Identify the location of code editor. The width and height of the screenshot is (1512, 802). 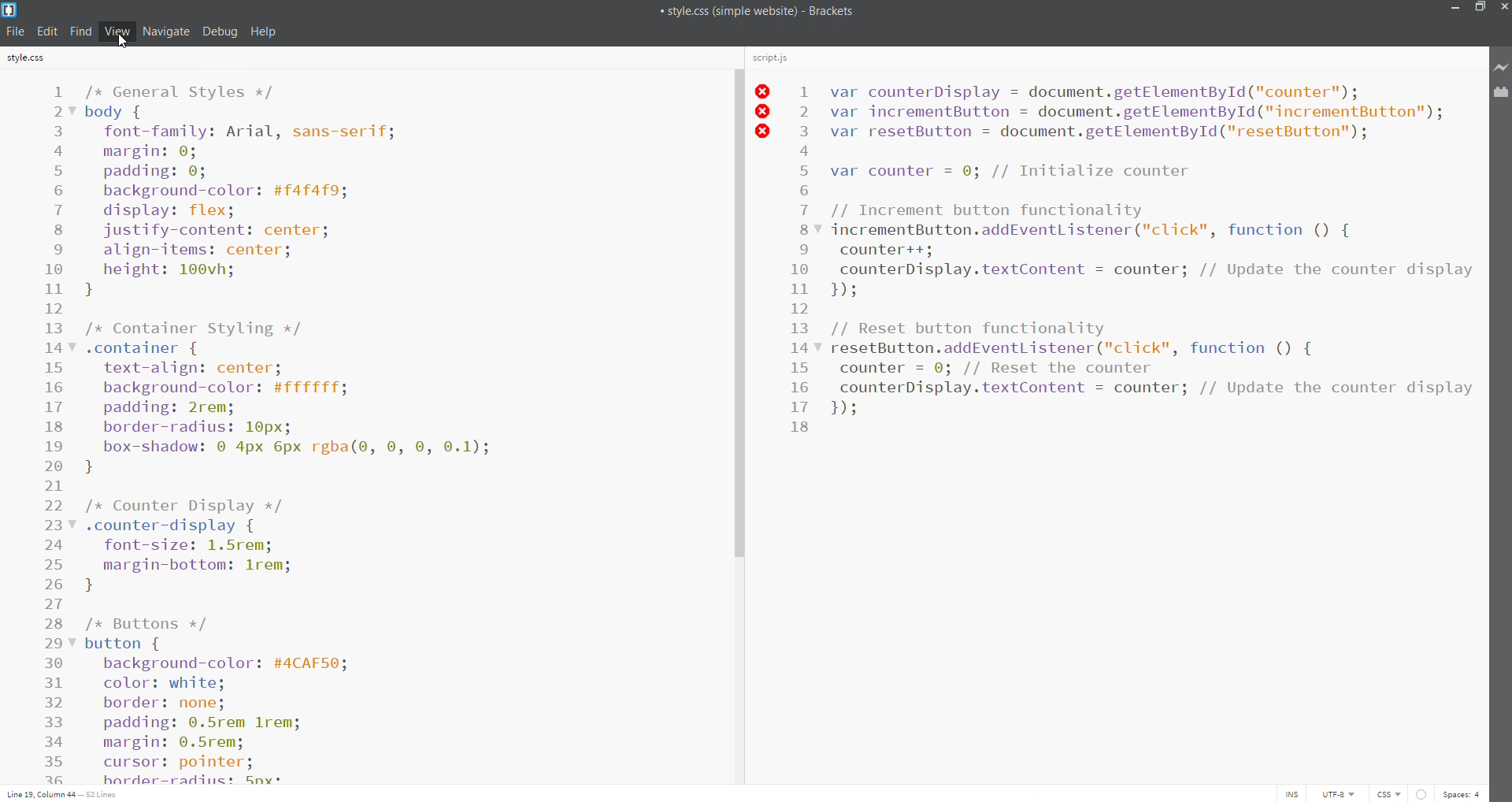
(1151, 428).